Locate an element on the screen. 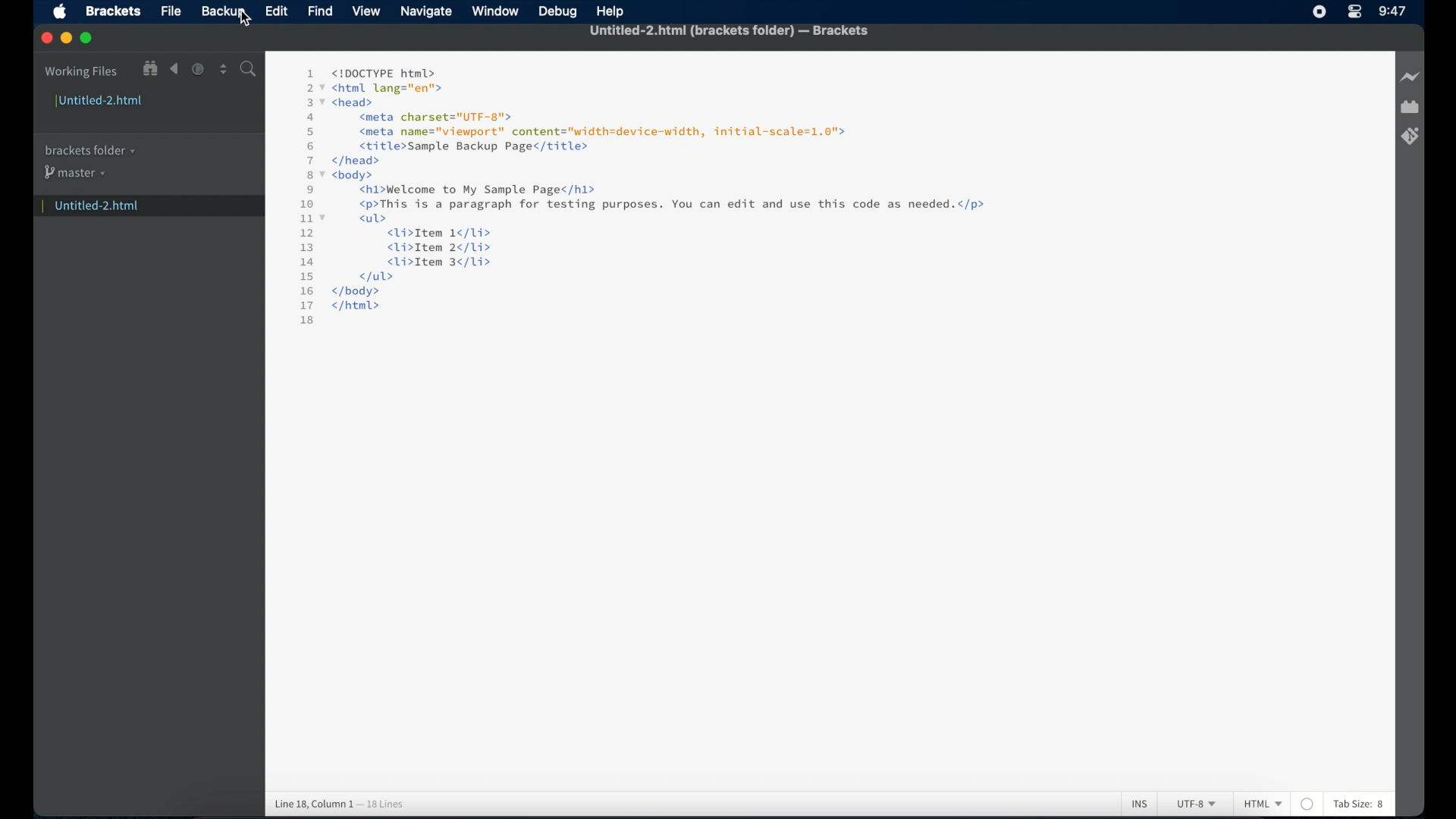 This screenshot has width=1456, height=819. navigate forward is located at coordinates (196, 69).